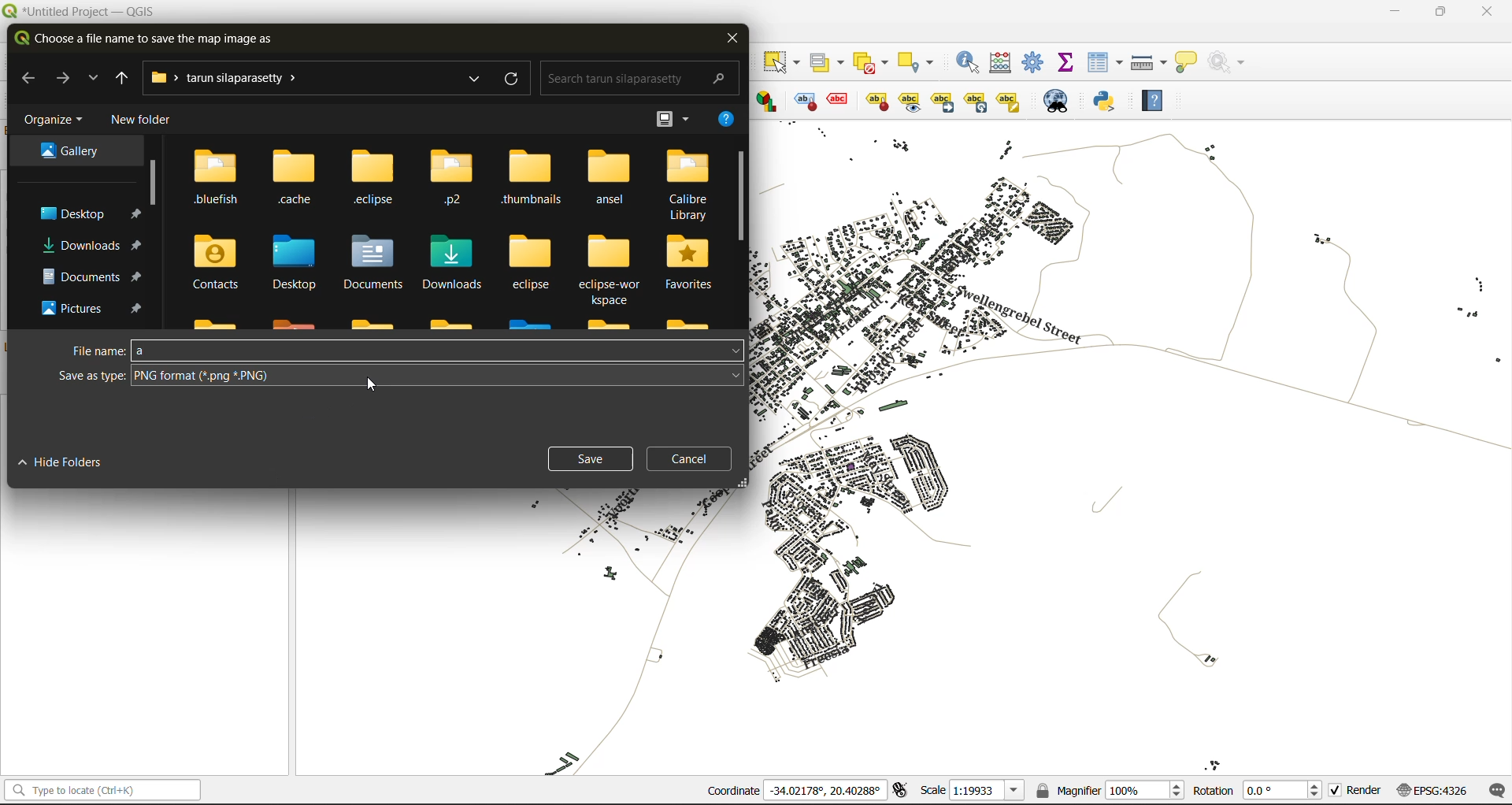 The width and height of the screenshot is (1512, 805). What do you see at coordinates (1230, 62) in the screenshot?
I see `no action` at bounding box center [1230, 62].